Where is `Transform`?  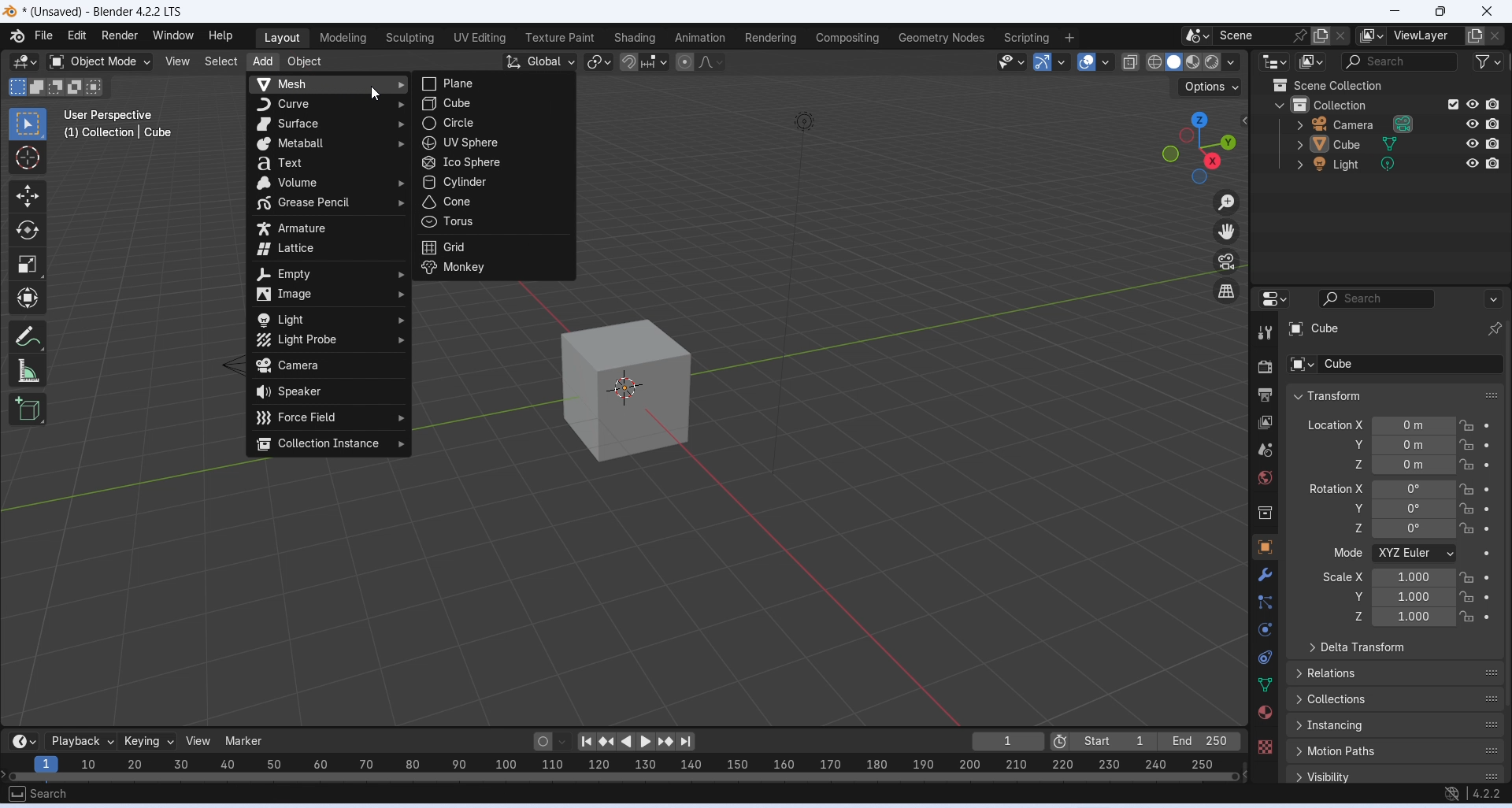
Transform is located at coordinates (27, 297).